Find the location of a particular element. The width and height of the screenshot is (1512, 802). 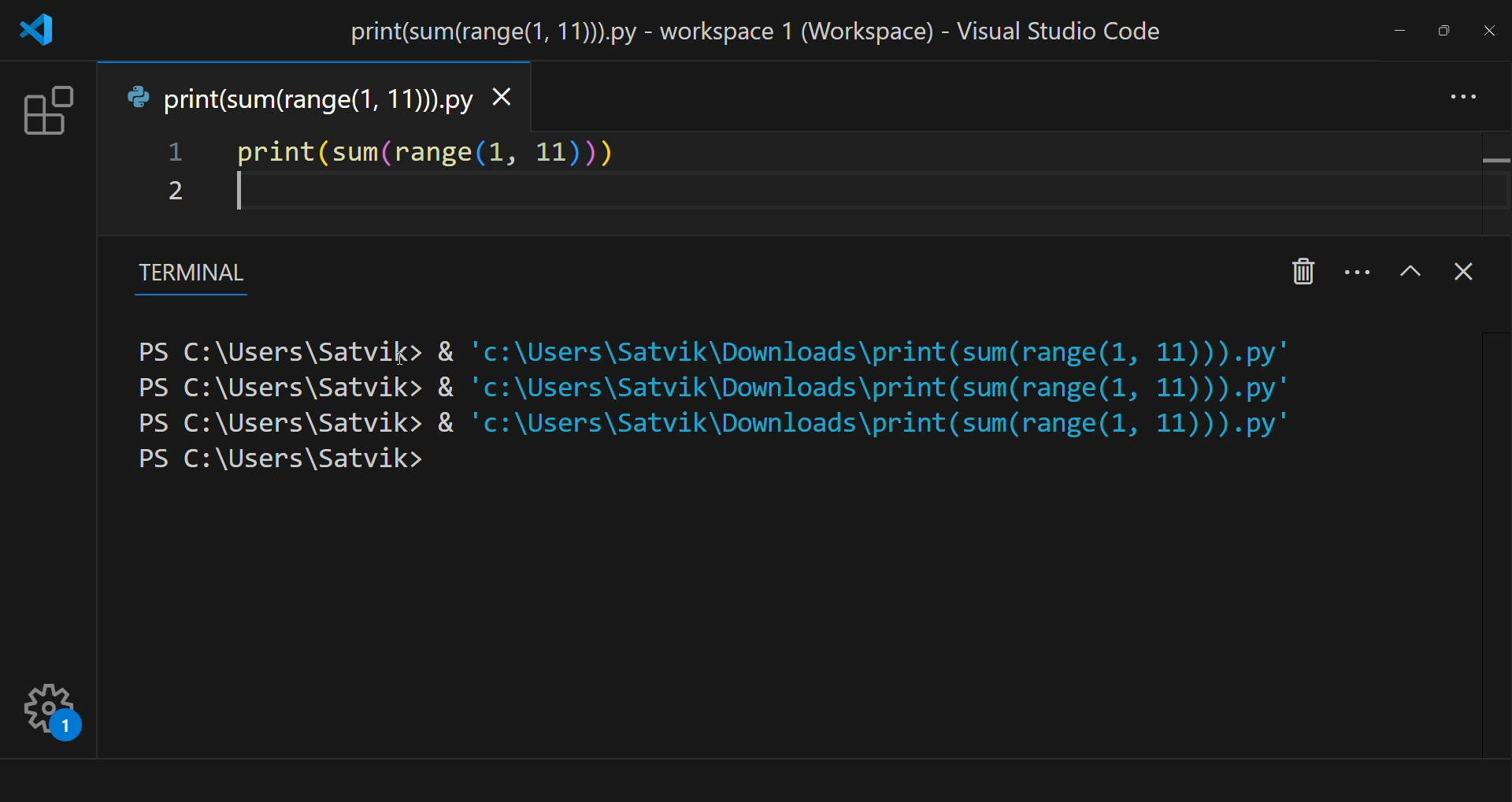

maximize panel is located at coordinates (1412, 270).